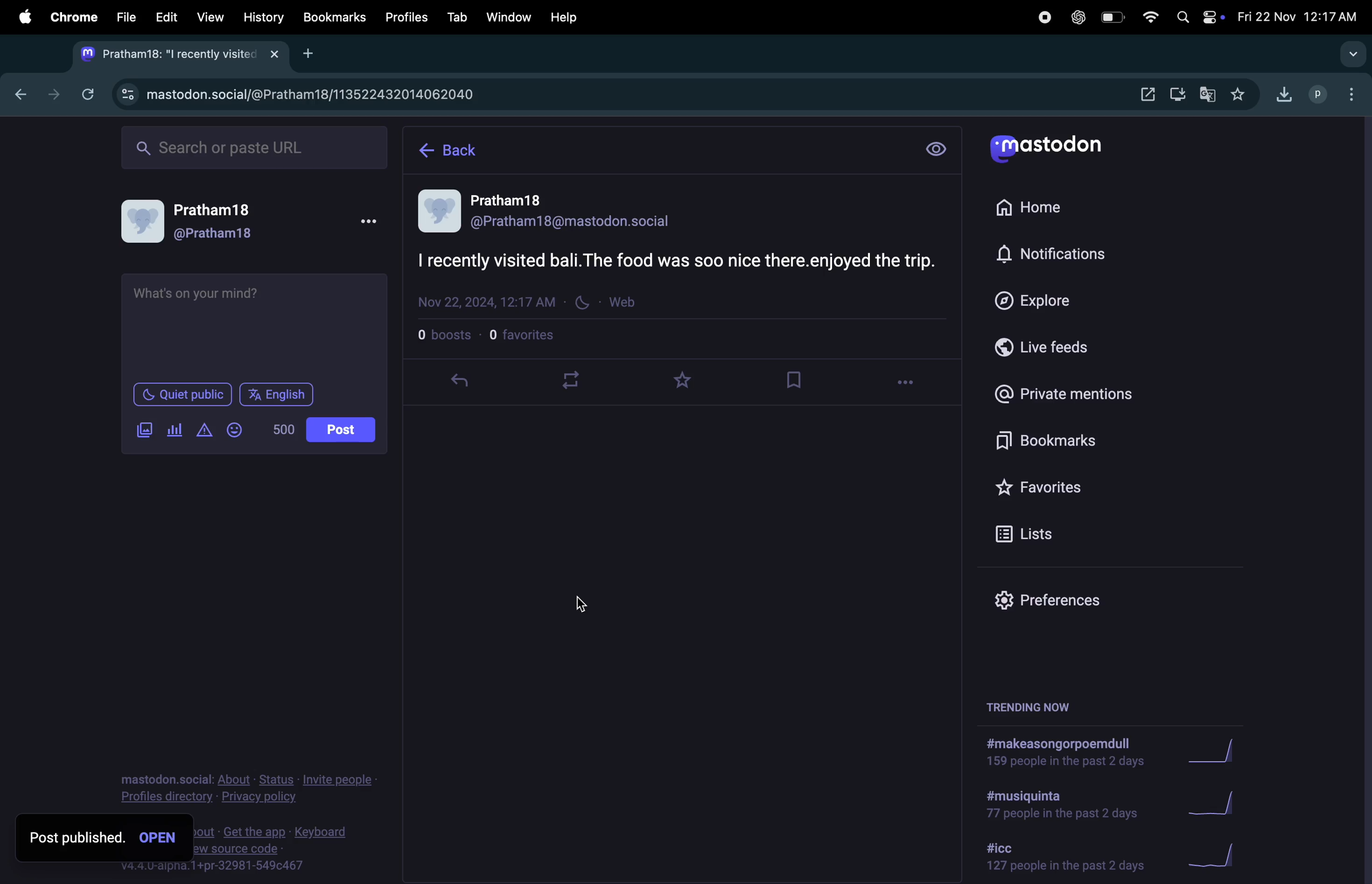  Describe the element at coordinates (1064, 394) in the screenshot. I see `private mentions` at that location.